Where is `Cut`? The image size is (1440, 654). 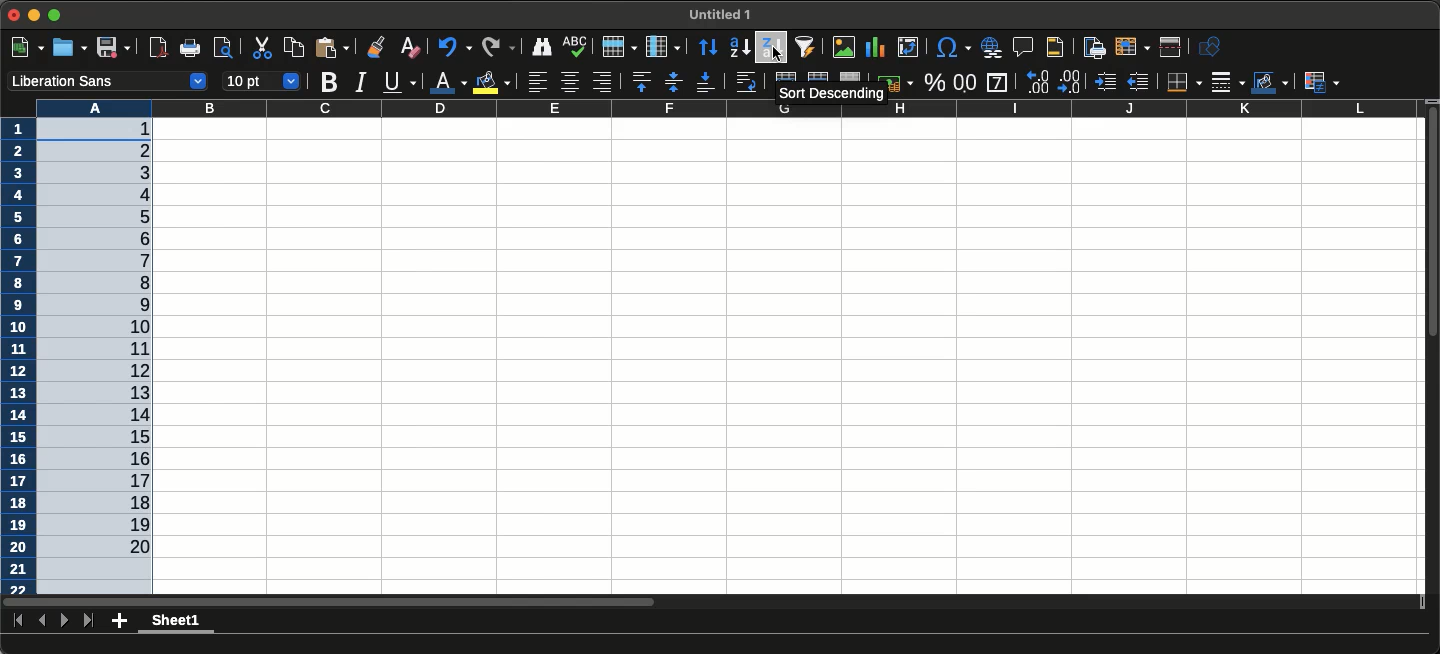
Cut is located at coordinates (261, 49).